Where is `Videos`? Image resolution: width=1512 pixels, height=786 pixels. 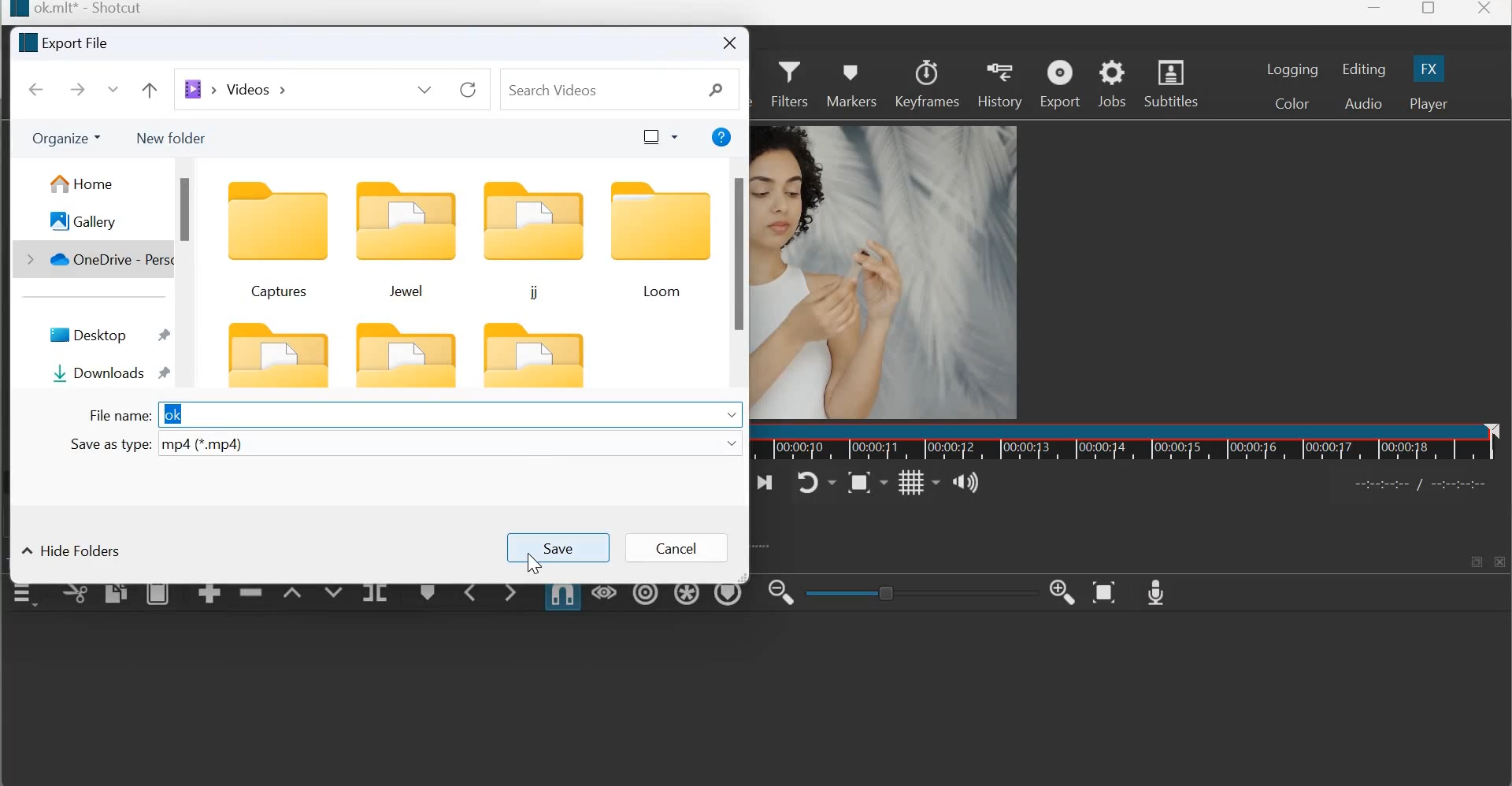 Videos is located at coordinates (254, 88).